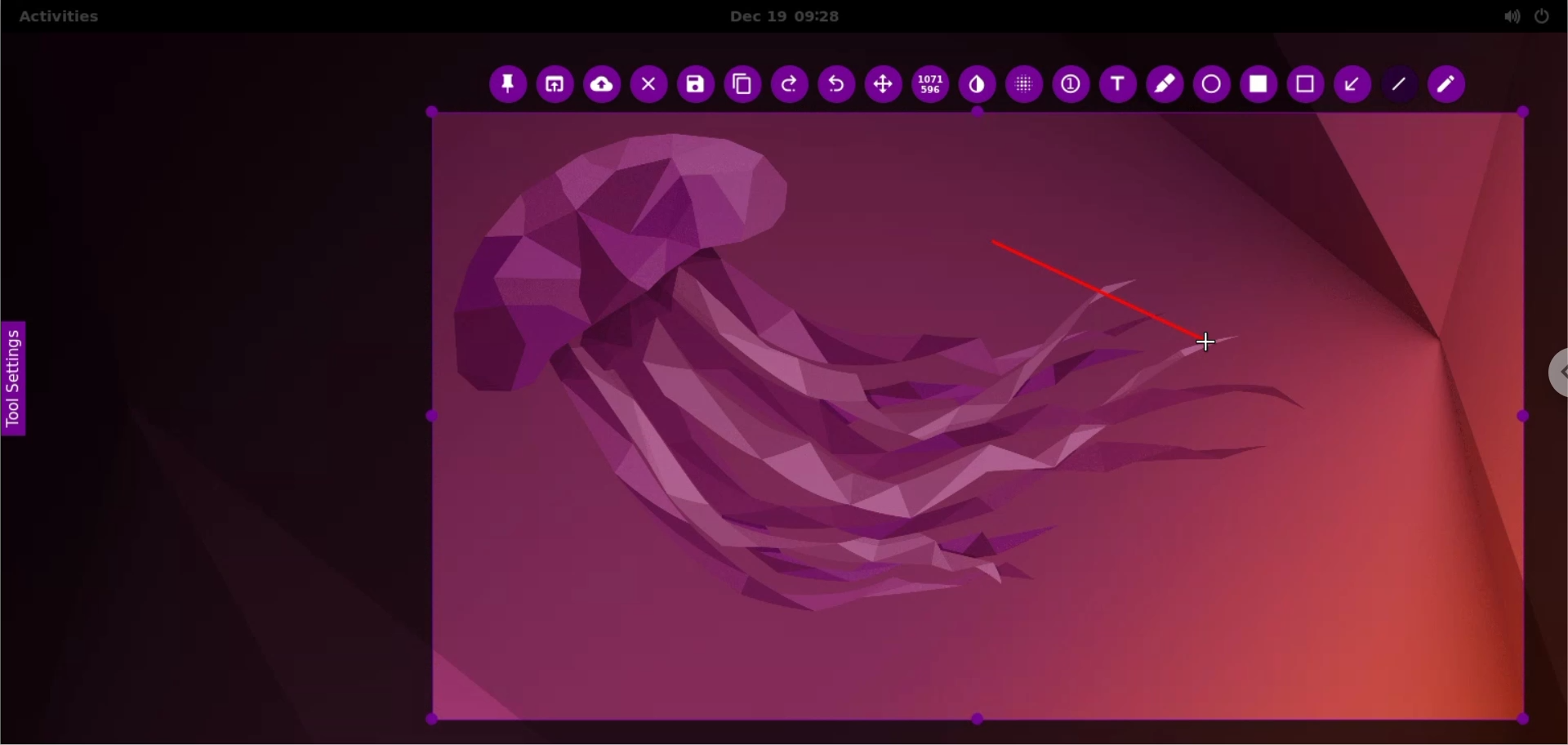 The width and height of the screenshot is (1568, 745). What do you see at coordinates (1026, 84) in the screenshot?
I see `pixellete ` at bounding box center [1026, 84].